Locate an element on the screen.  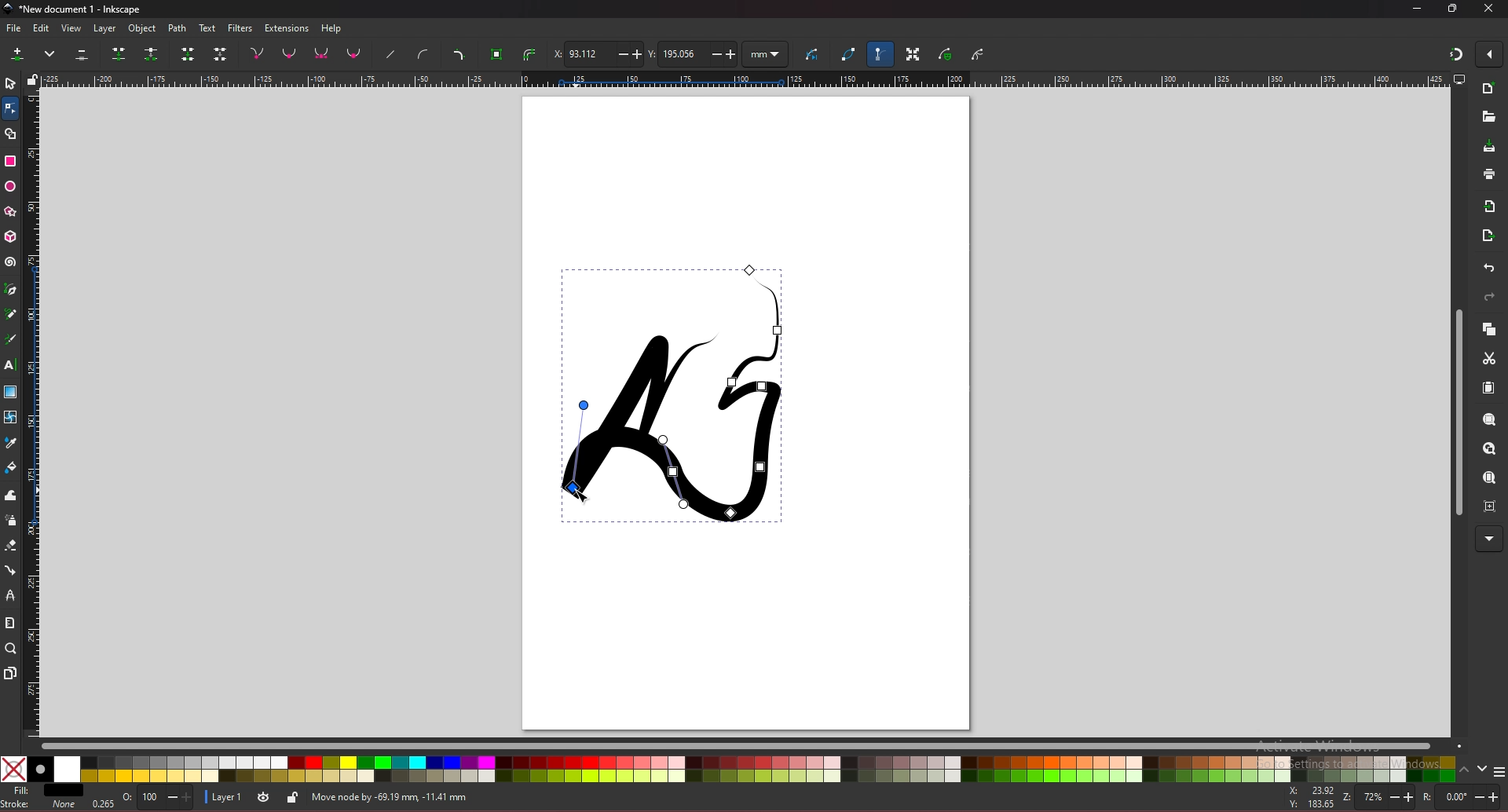
print is located at coordinates (1490, 174).